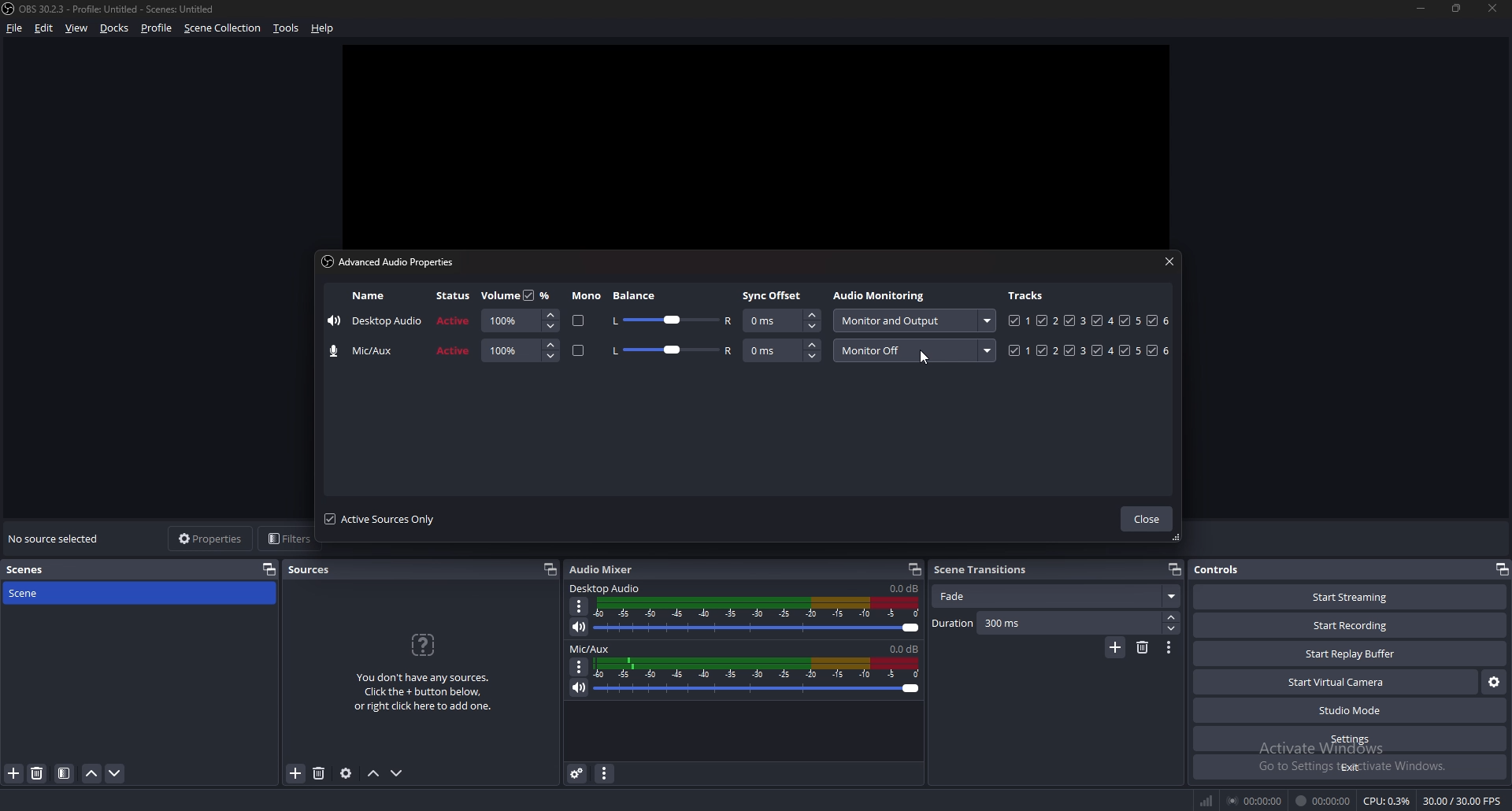 The image size is (1512, 811). I want to click on balance adjust, so click(673, 320).